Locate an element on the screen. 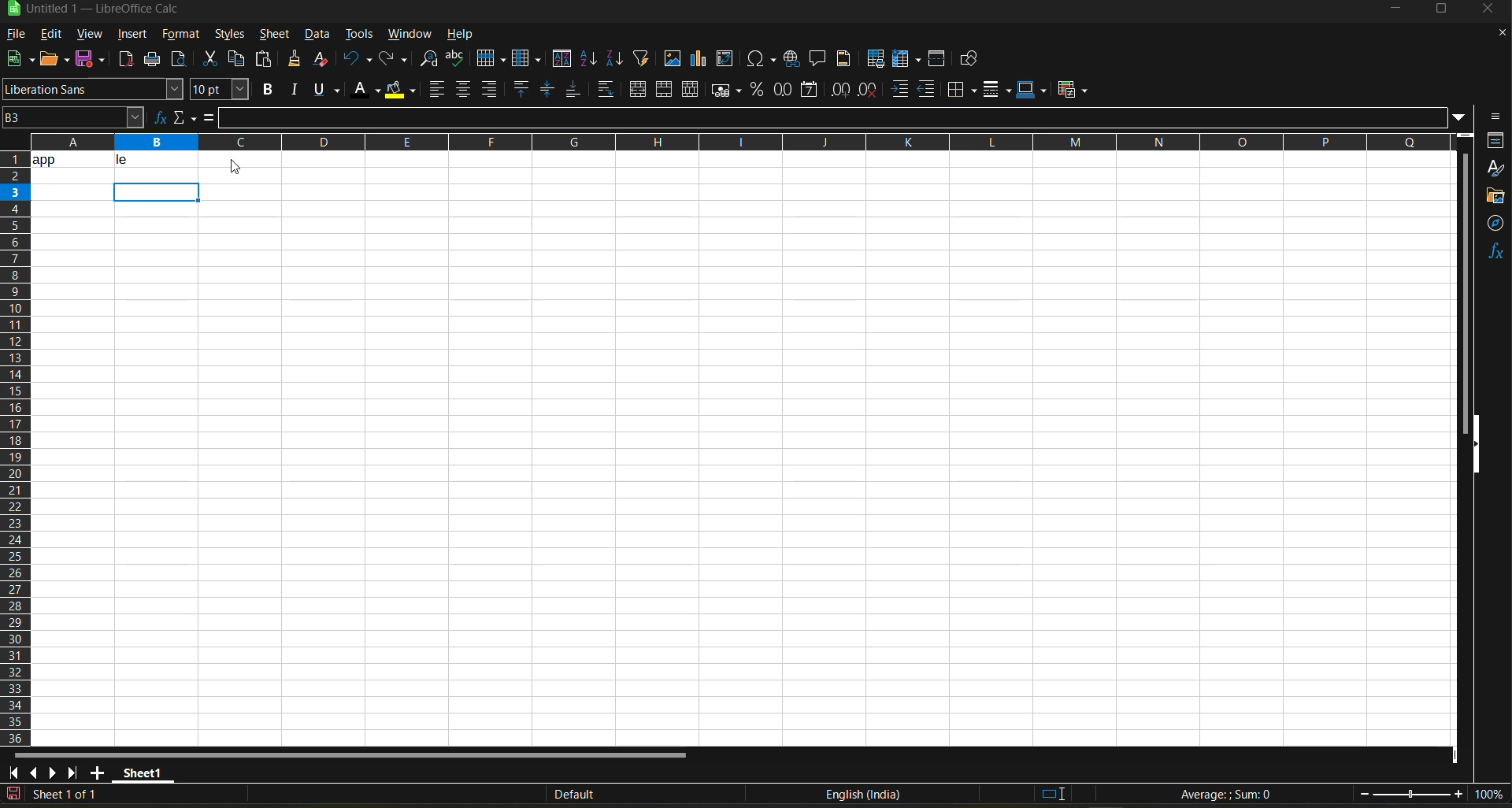  styles is located at coordinates (1495, 169).